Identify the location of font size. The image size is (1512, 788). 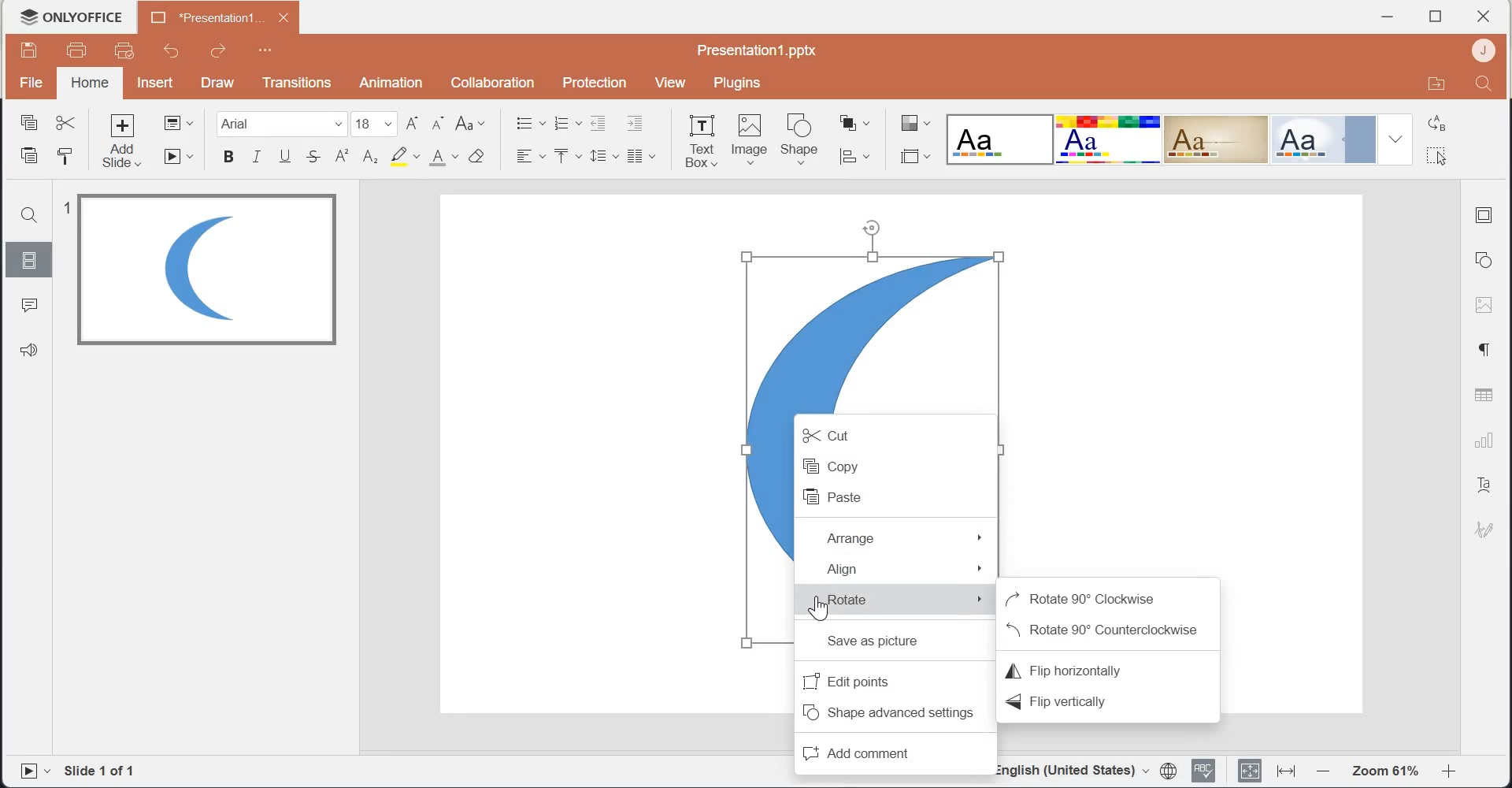
(376, 125).